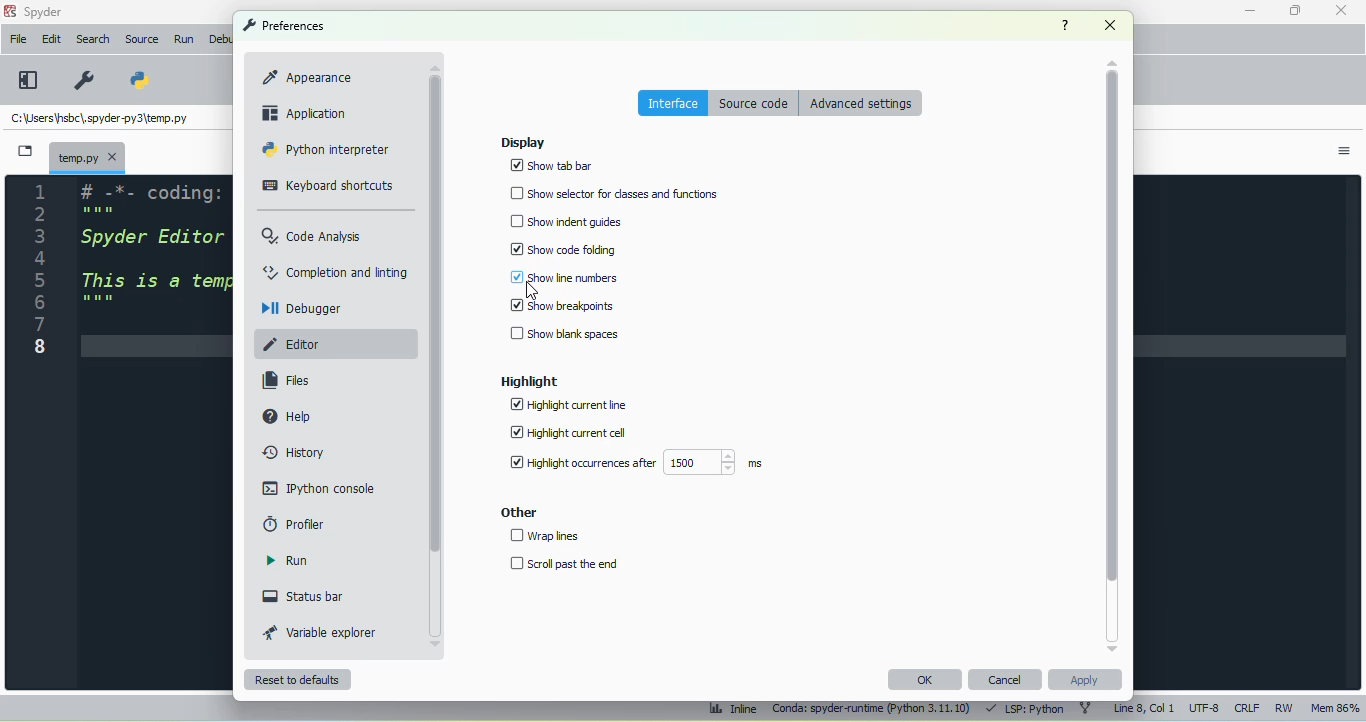 The image size is (1366, 722). Describe the element at coordinates (569, 221) in the screenshot. I see `show indent guides` at that location.